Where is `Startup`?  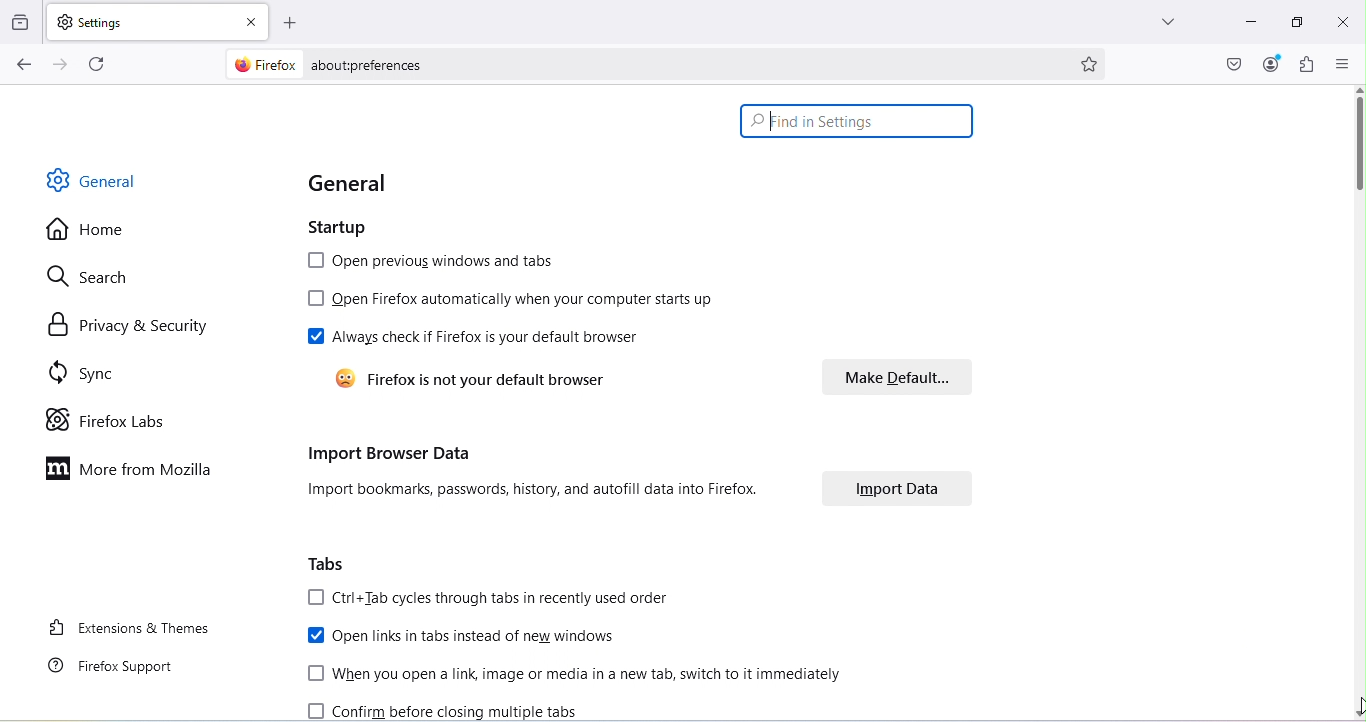 Startup is located at coordinates (341, 227).